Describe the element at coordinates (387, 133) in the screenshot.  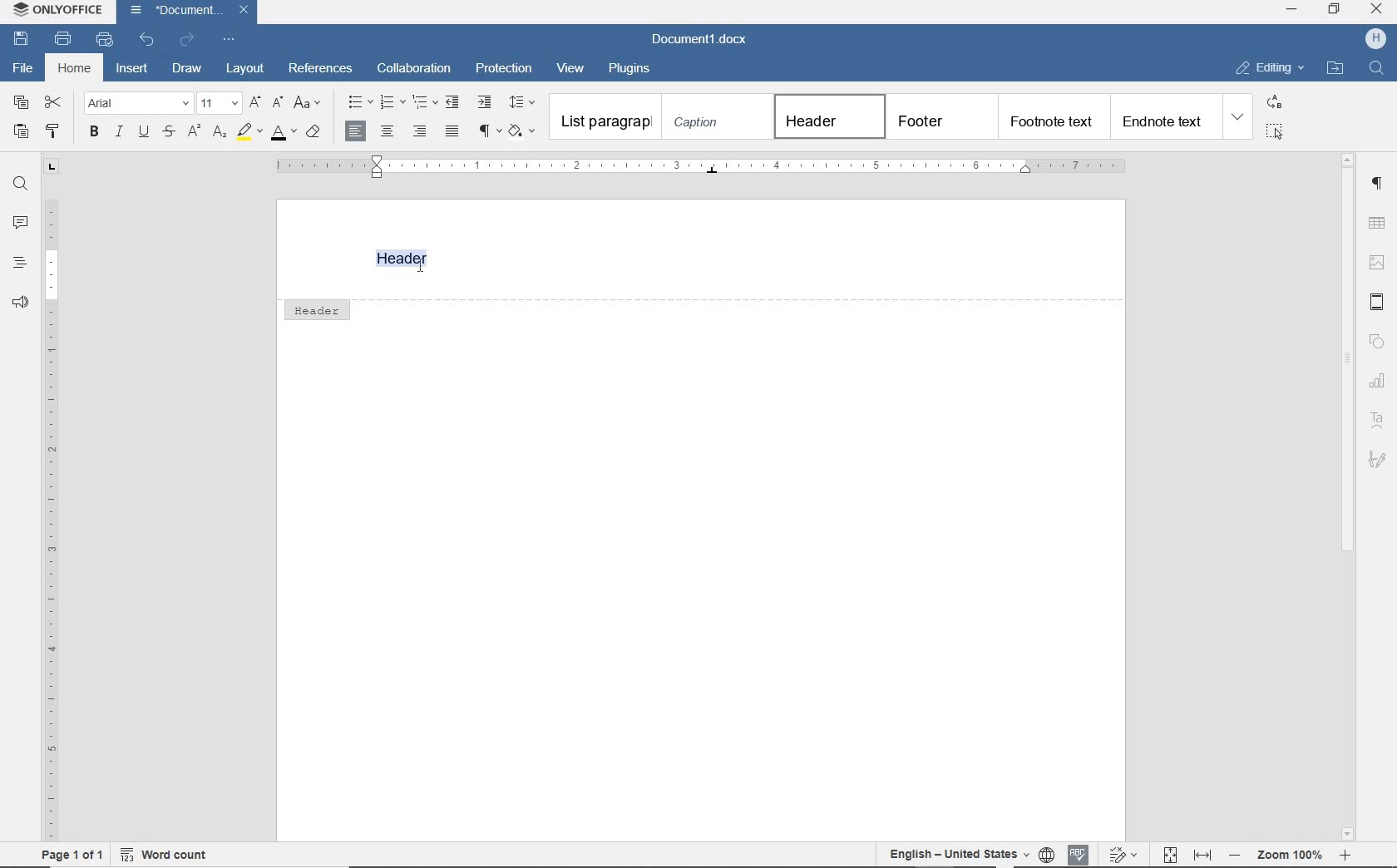
I see `align center` at that location.